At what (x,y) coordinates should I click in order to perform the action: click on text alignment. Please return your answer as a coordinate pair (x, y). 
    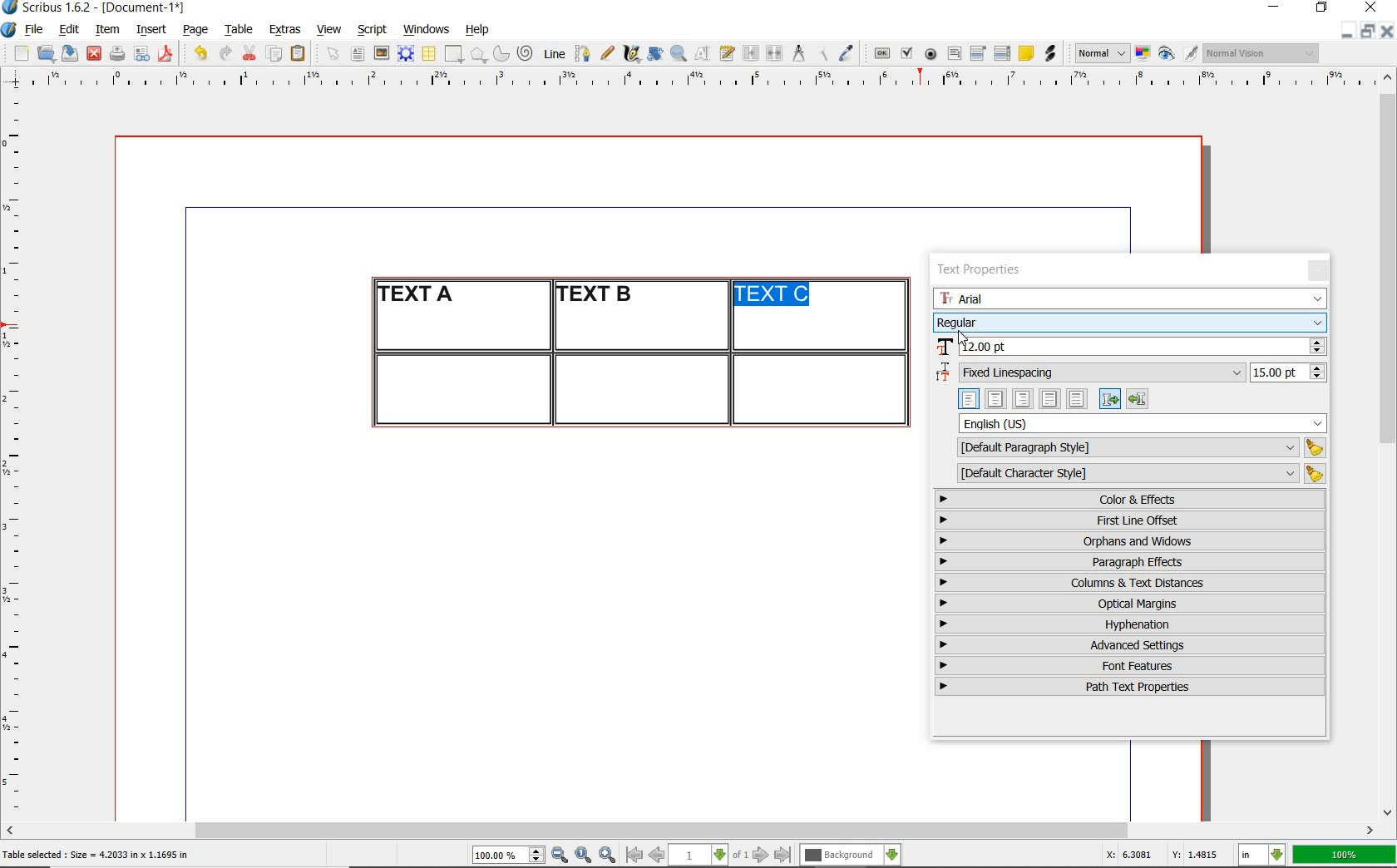
    Looking at the image, I should click on (1053, 398).